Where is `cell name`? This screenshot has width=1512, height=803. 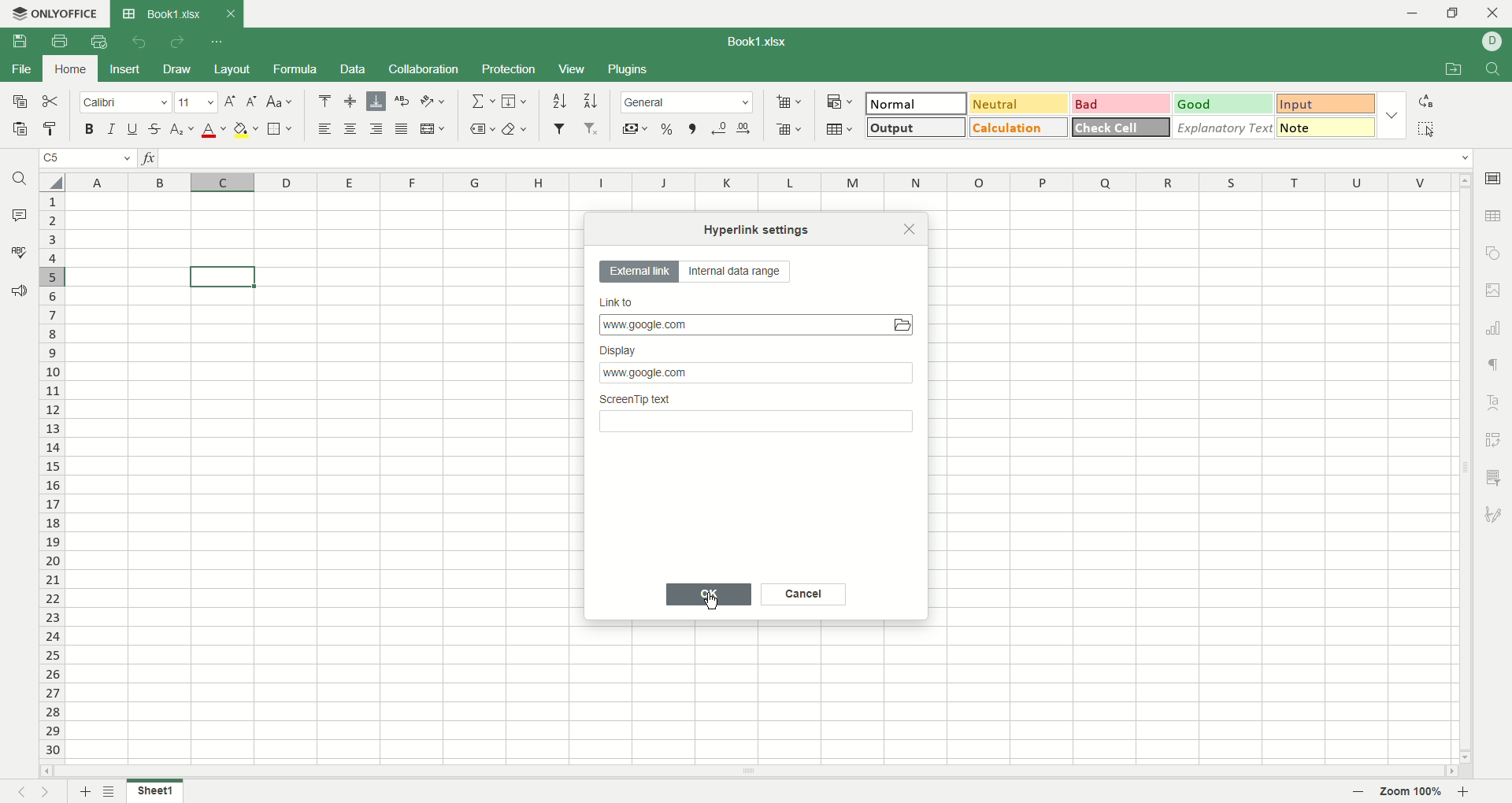 cell name is located at coordinates (86, 160).